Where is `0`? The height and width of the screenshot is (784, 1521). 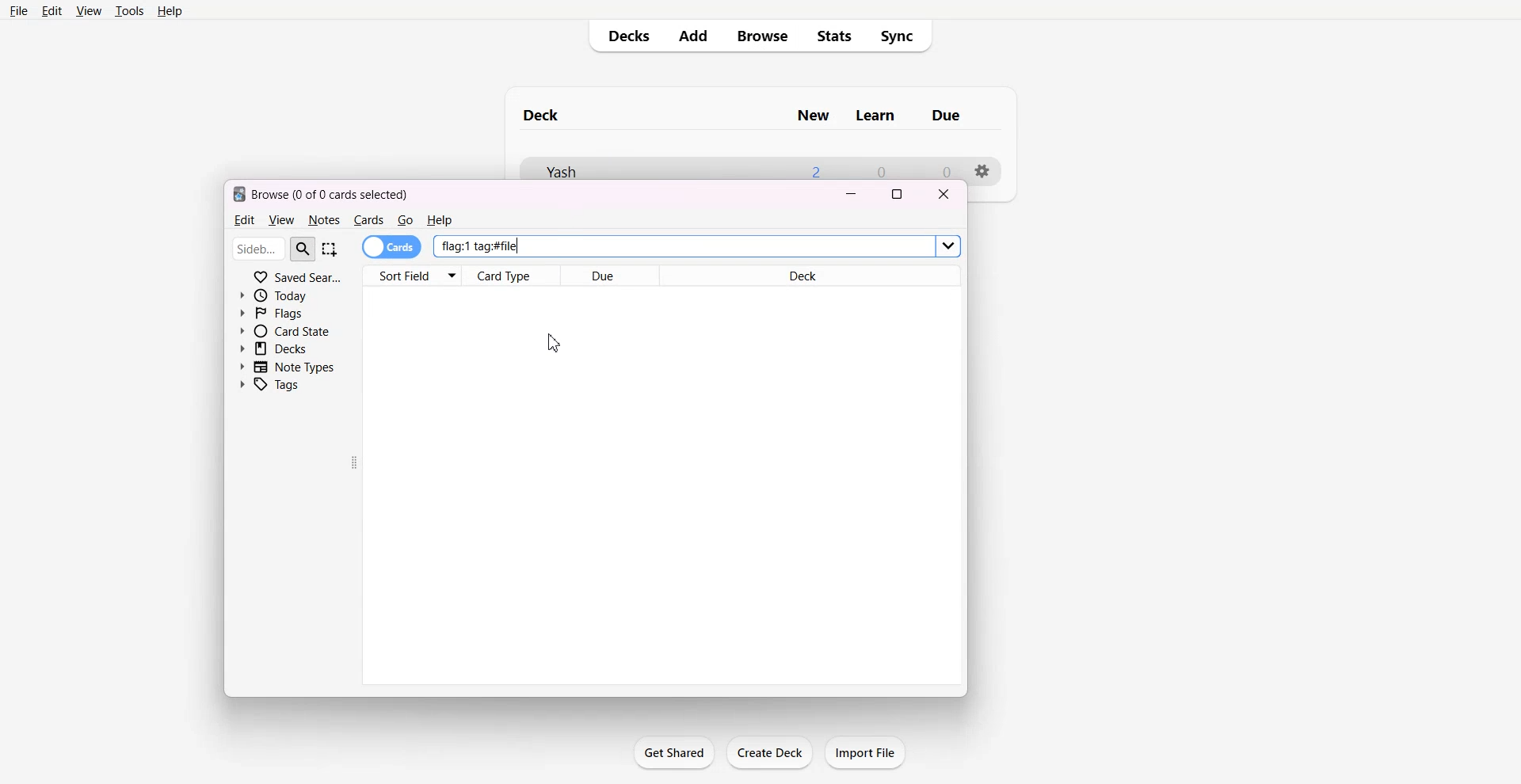 0 is located at coordinates (883, 169).